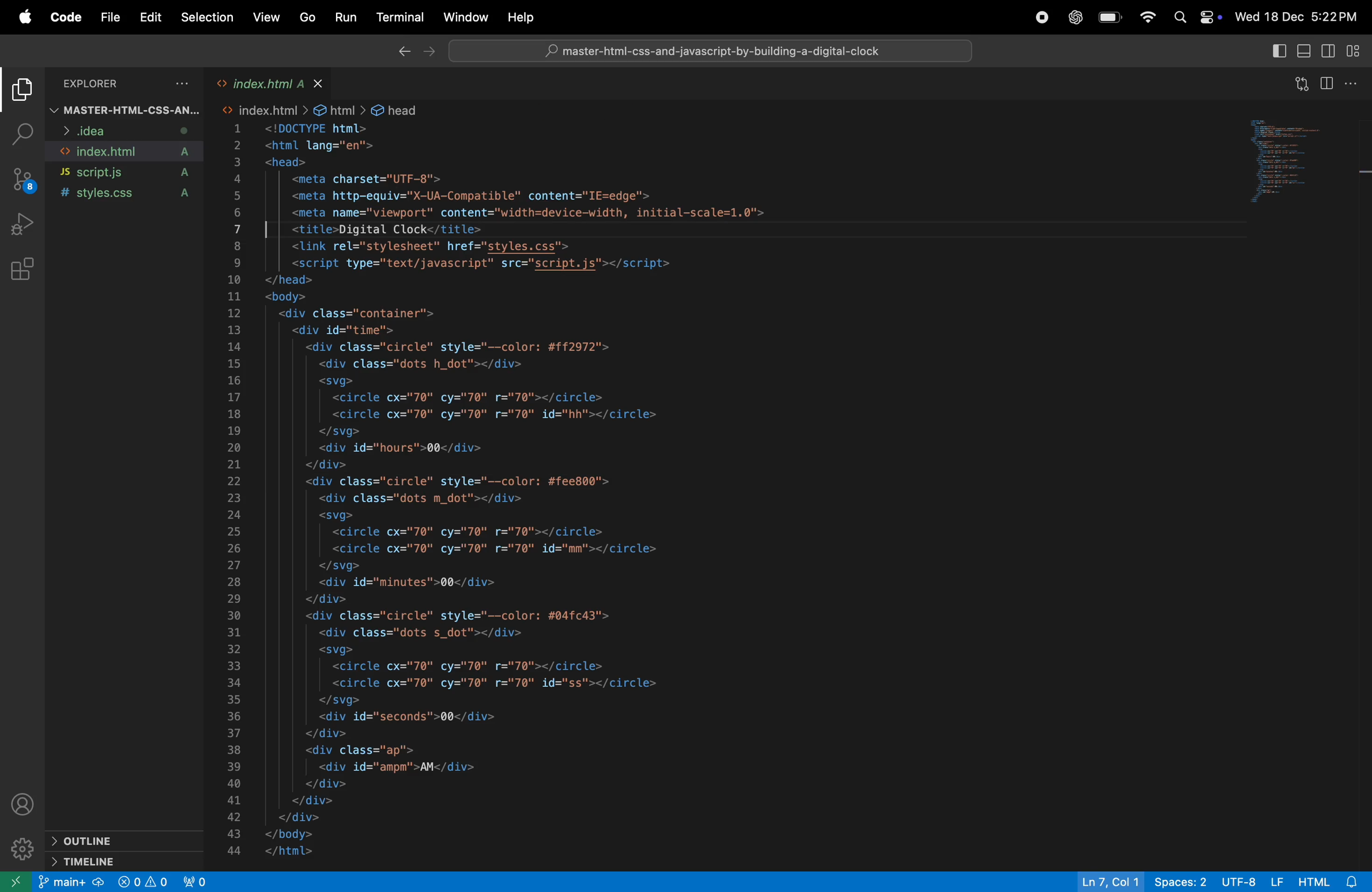 The width and height of the screenshot is (1372, 892). Describe the element at coordinates (207, 17) in the screenshot. I see `selection` at that location.